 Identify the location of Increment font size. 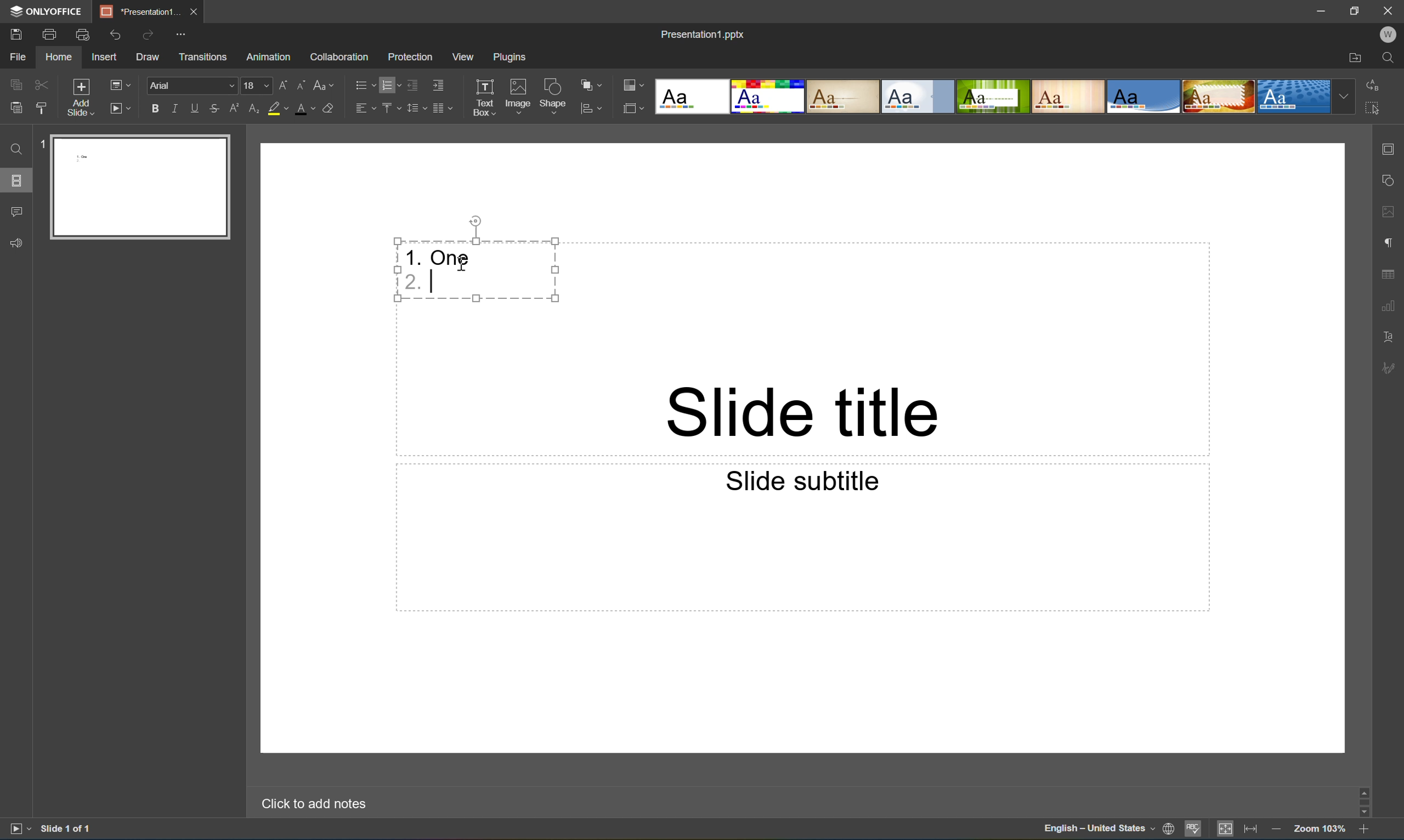
(288, 82).